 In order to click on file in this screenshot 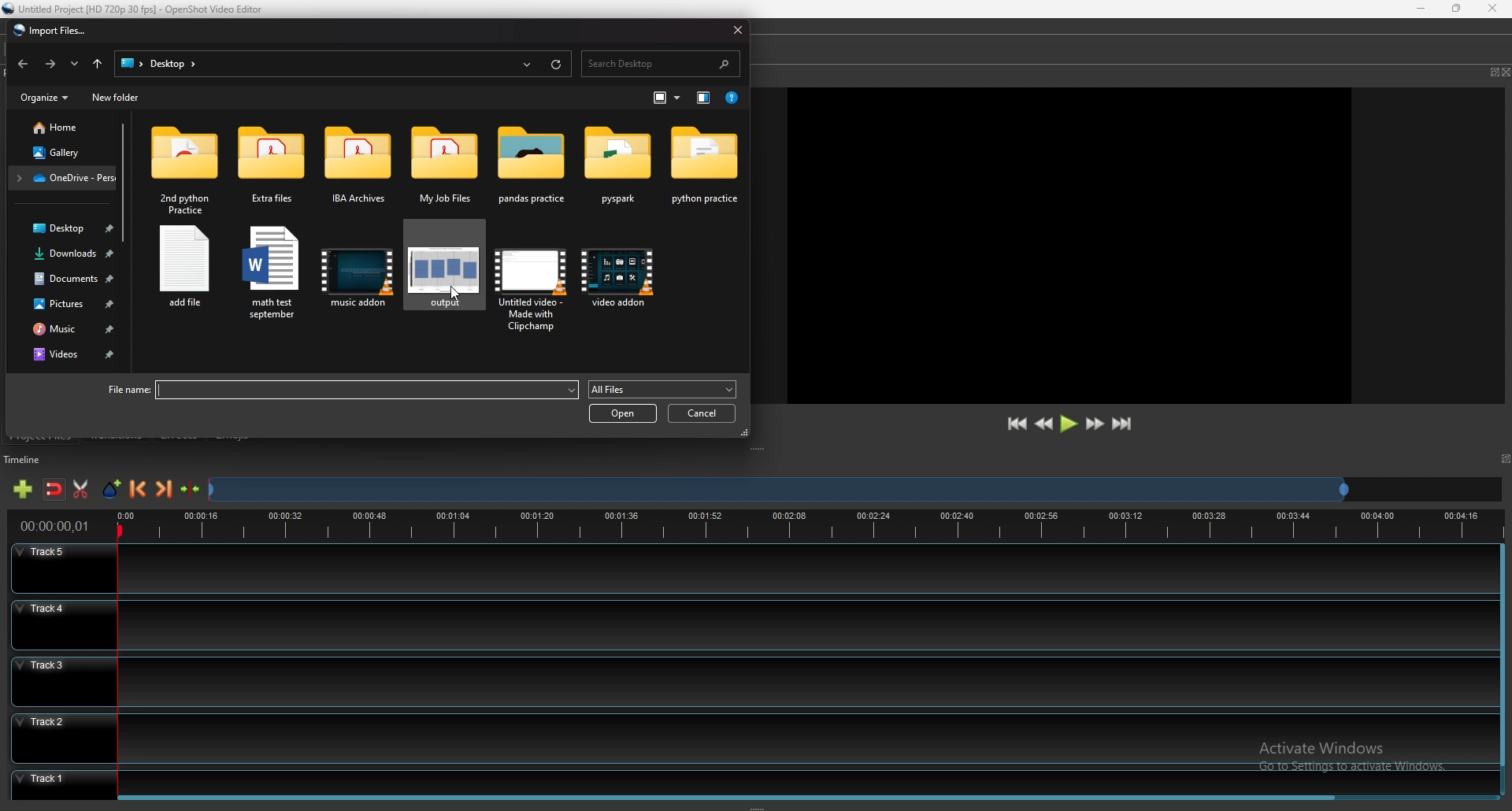, I will do `click(619, 283)`.